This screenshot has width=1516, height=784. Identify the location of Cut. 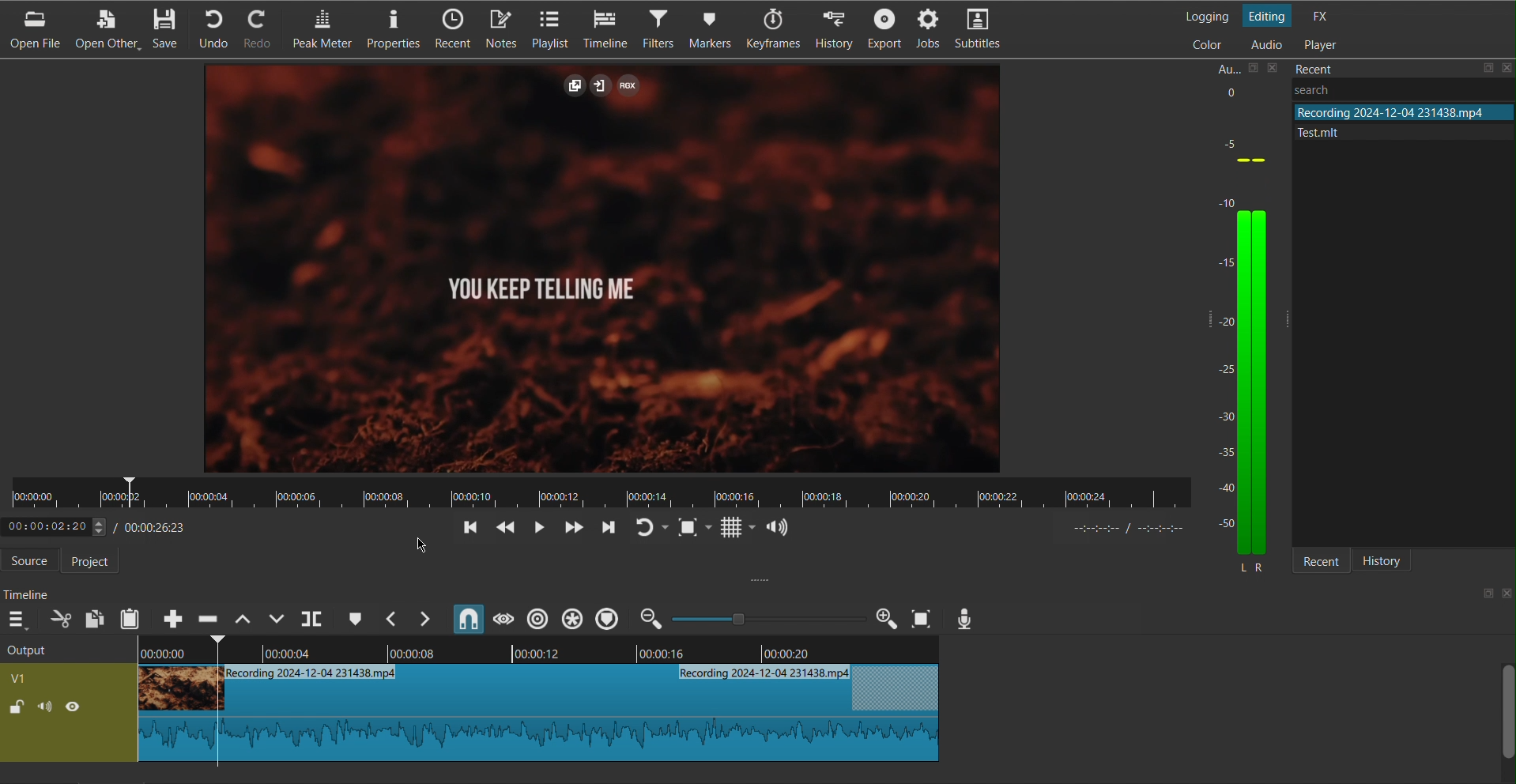
(60, 619).